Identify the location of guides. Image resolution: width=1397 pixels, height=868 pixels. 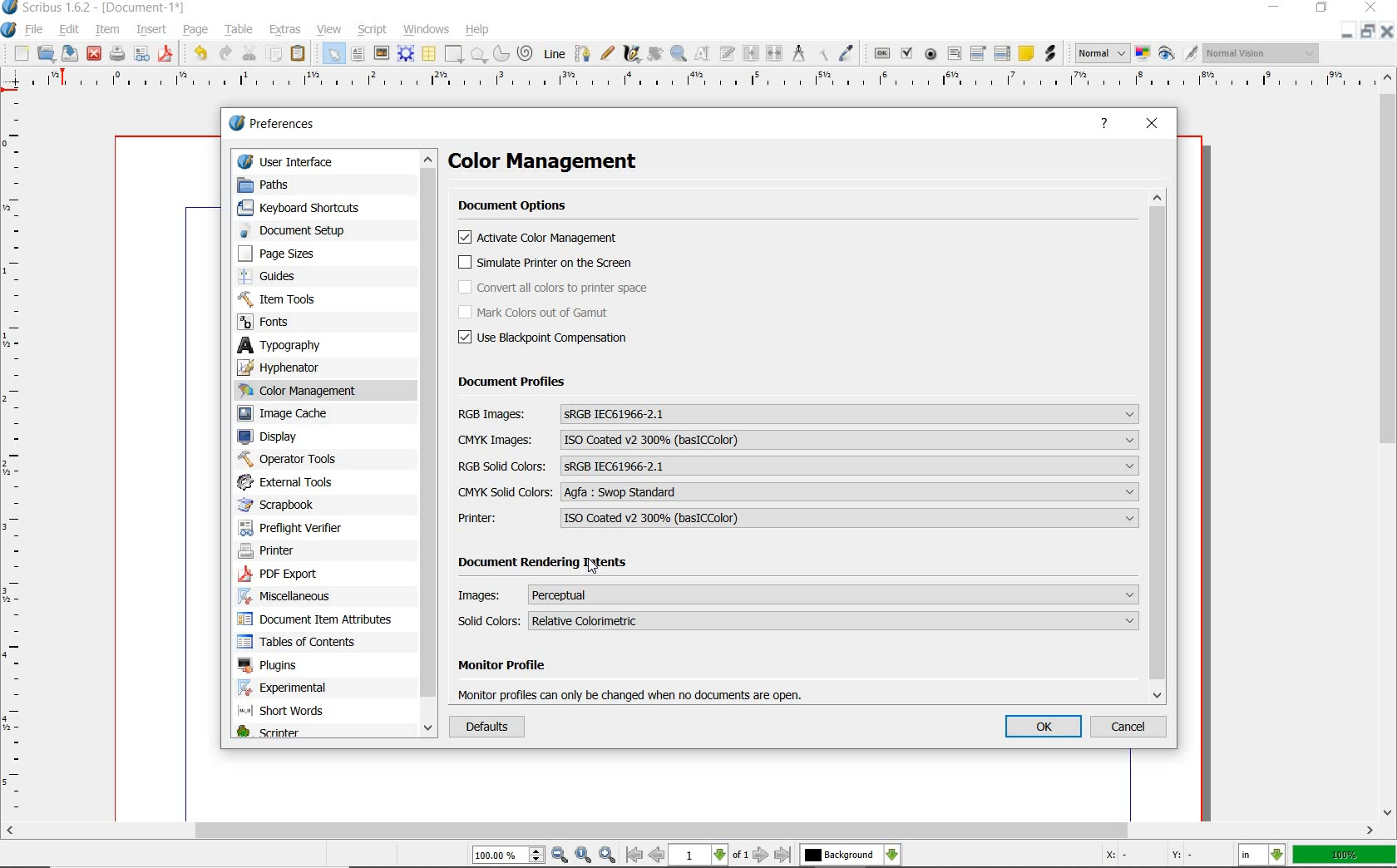
(300, 277).